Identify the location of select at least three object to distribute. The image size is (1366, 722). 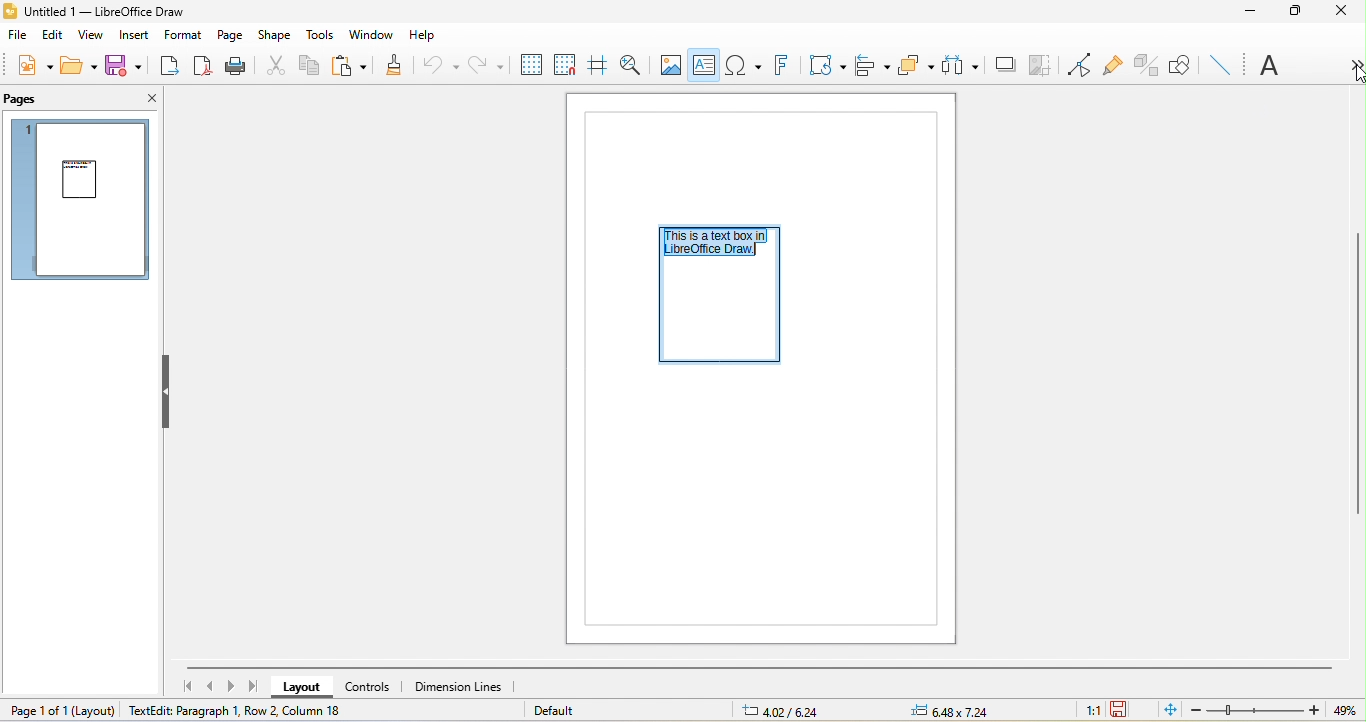
(959, 65).